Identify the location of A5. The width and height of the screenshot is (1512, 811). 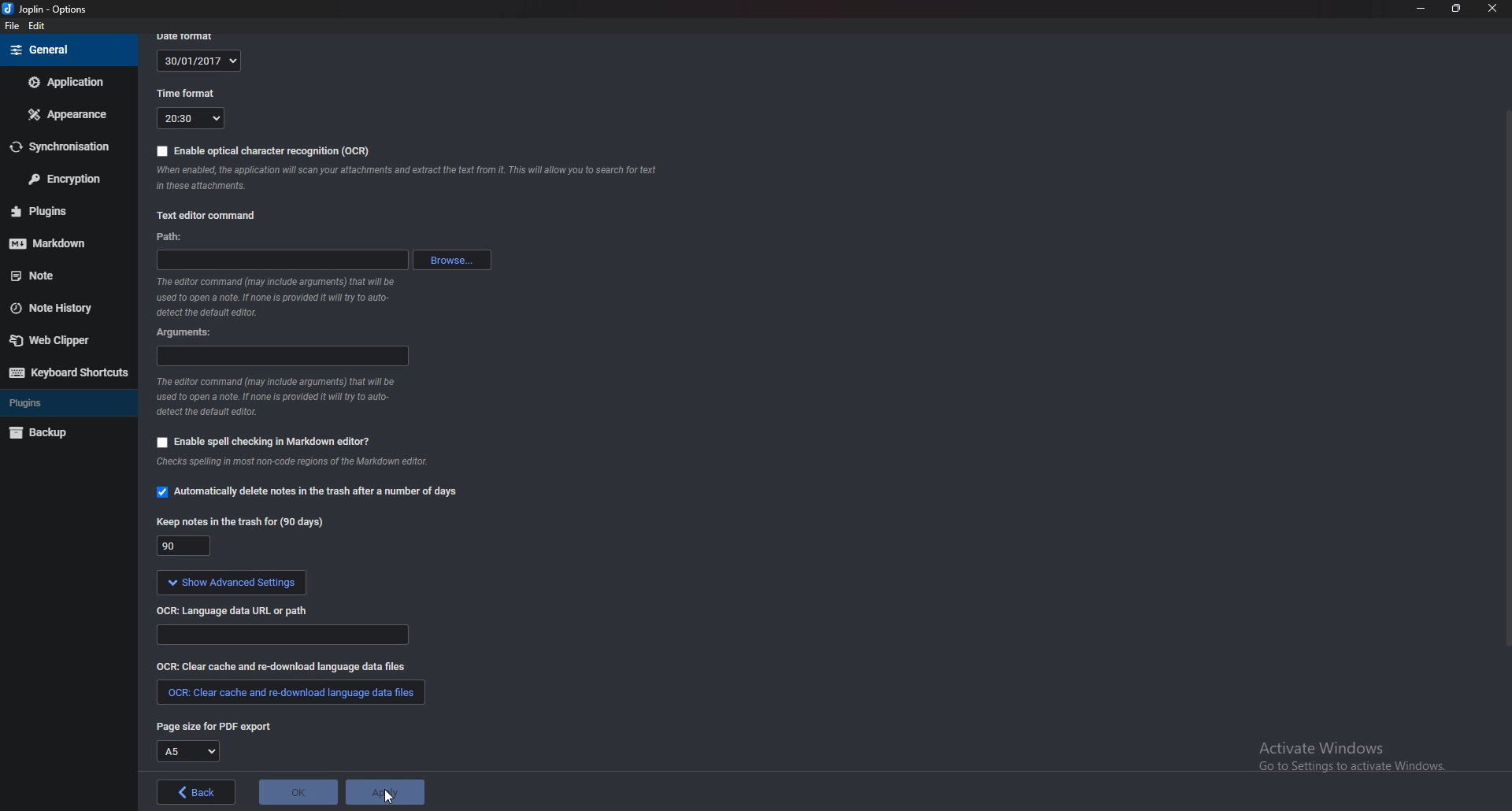
(187, 751).